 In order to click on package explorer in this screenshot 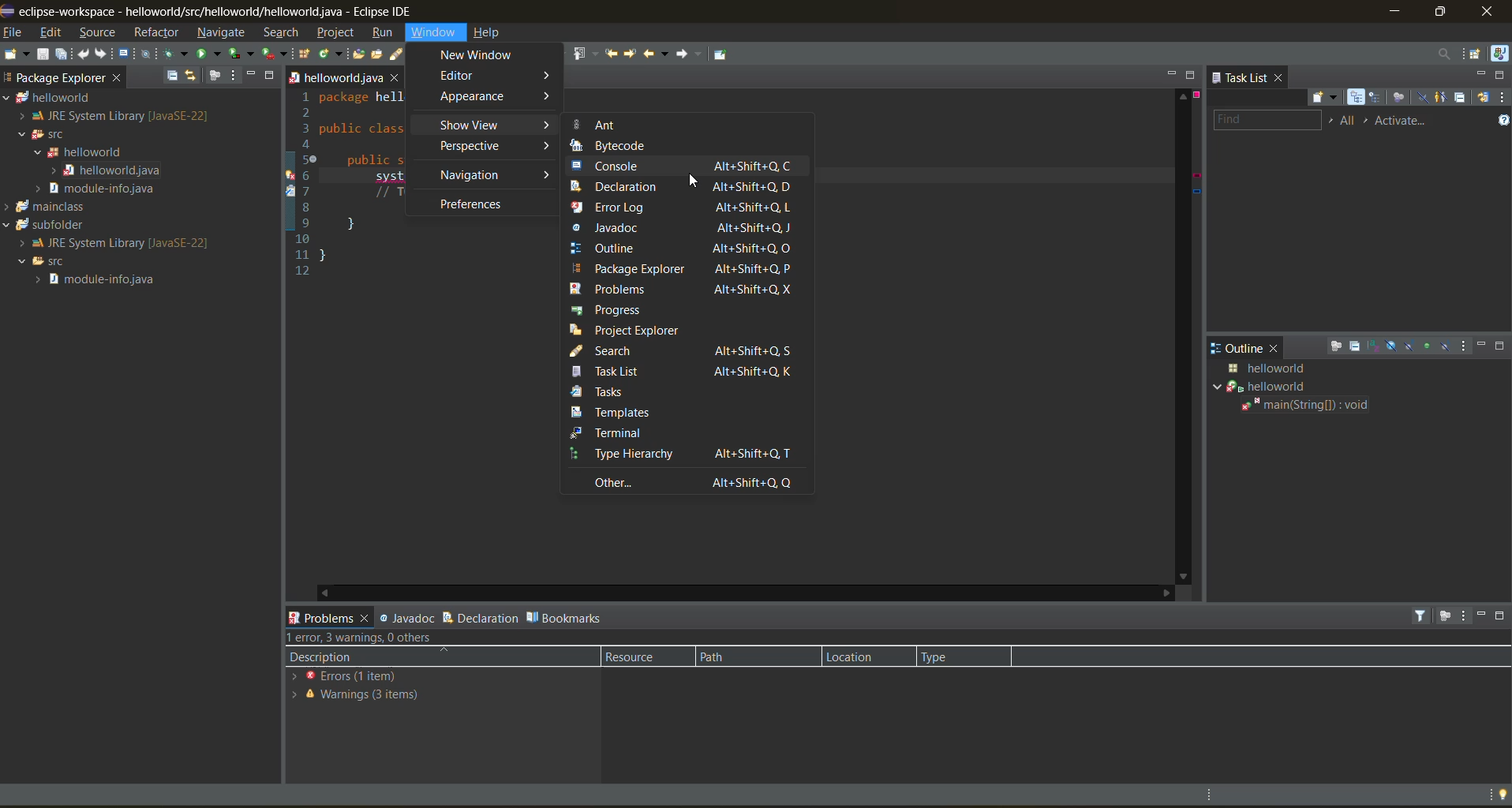, I will do `click(685, 267)`.